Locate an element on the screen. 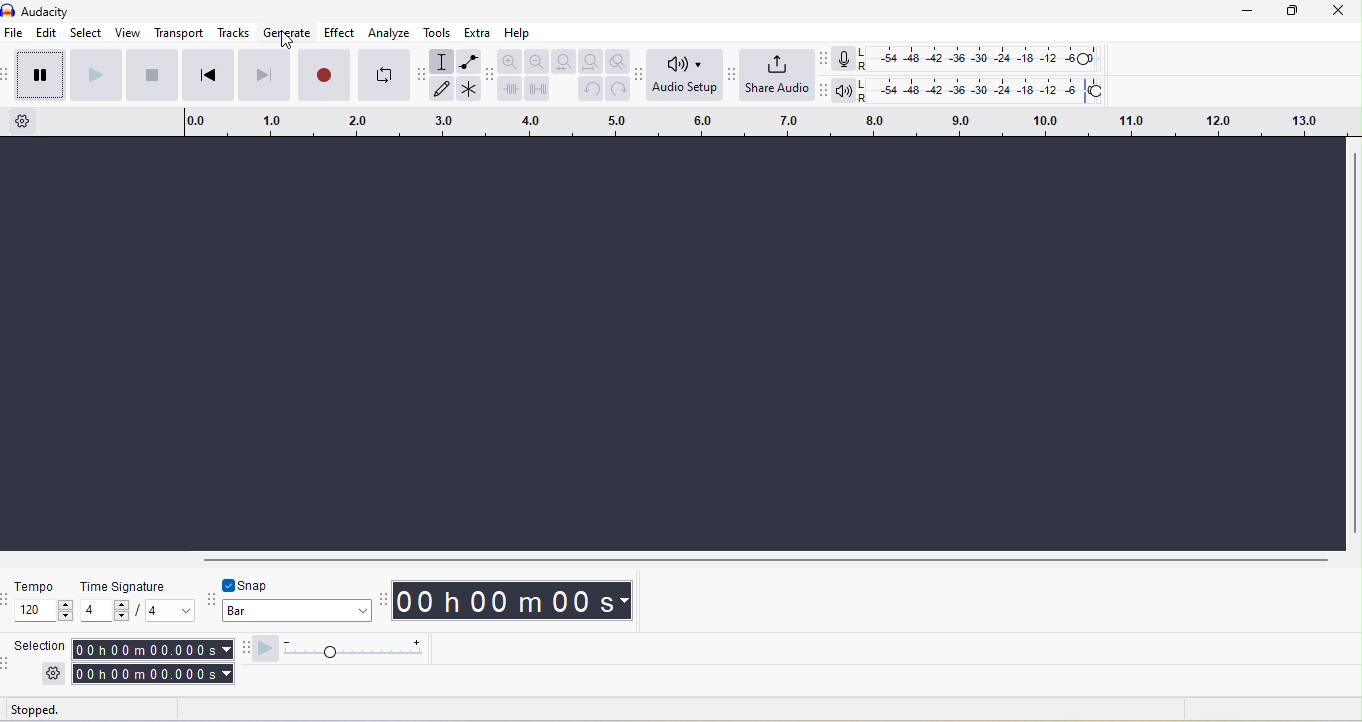 The image size is (1362, 722). audacity recording meter toolbar is located at coordinates (827, 58).